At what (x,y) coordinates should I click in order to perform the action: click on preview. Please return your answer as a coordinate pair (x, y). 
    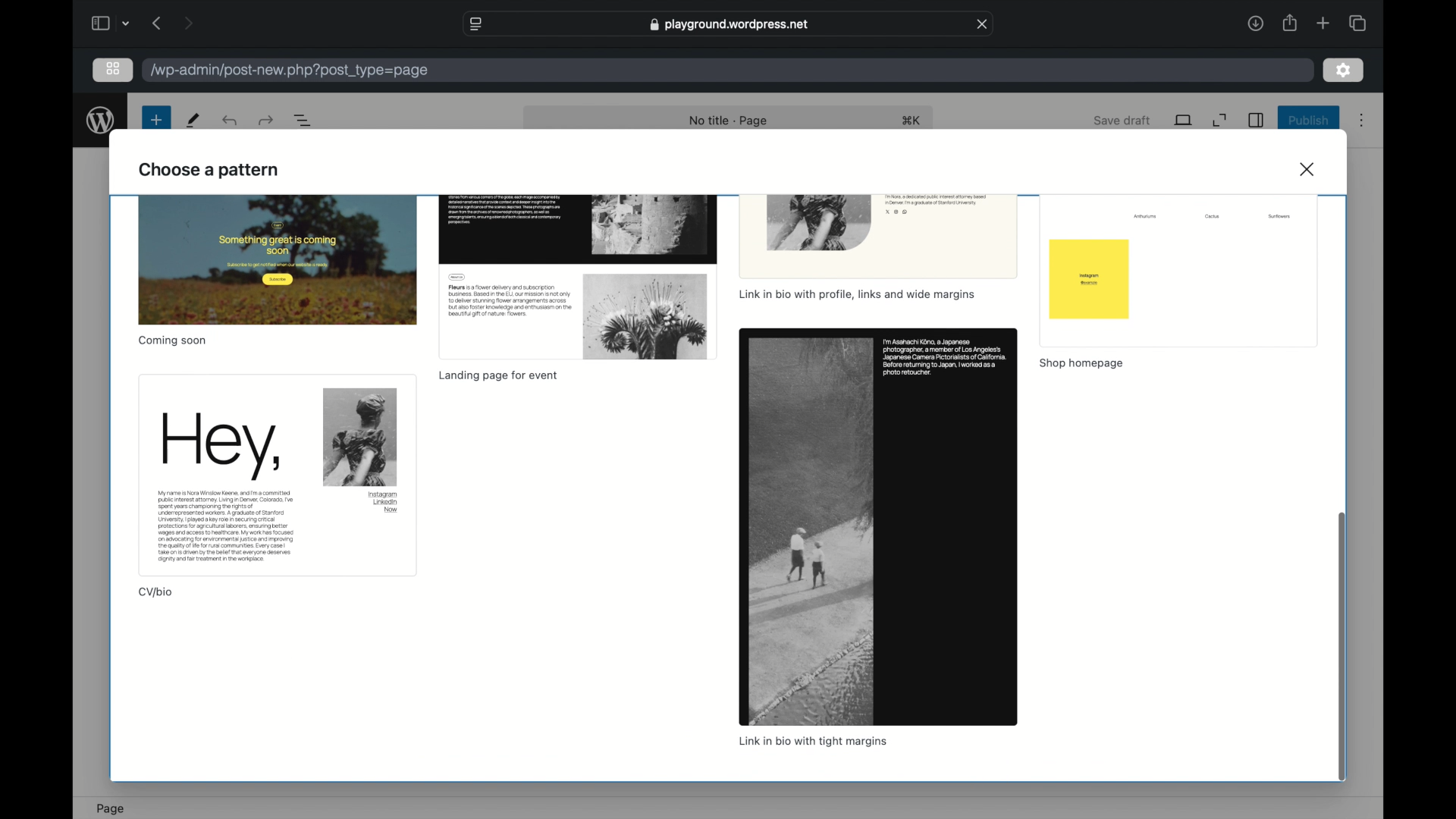
    Looking at the image, I should click on (277, 260).